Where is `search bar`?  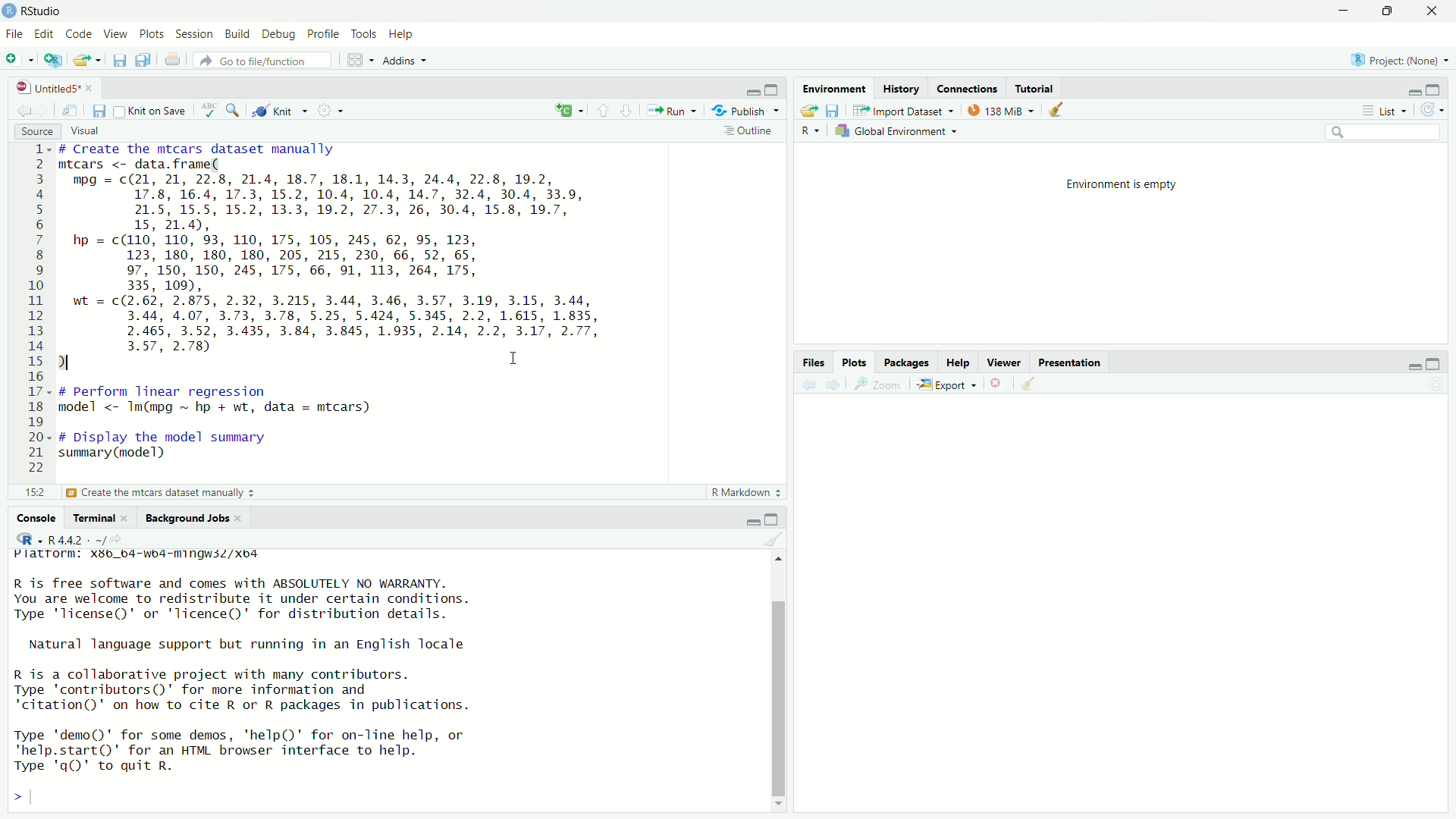 search bar is located at coordinates (1384, 132).